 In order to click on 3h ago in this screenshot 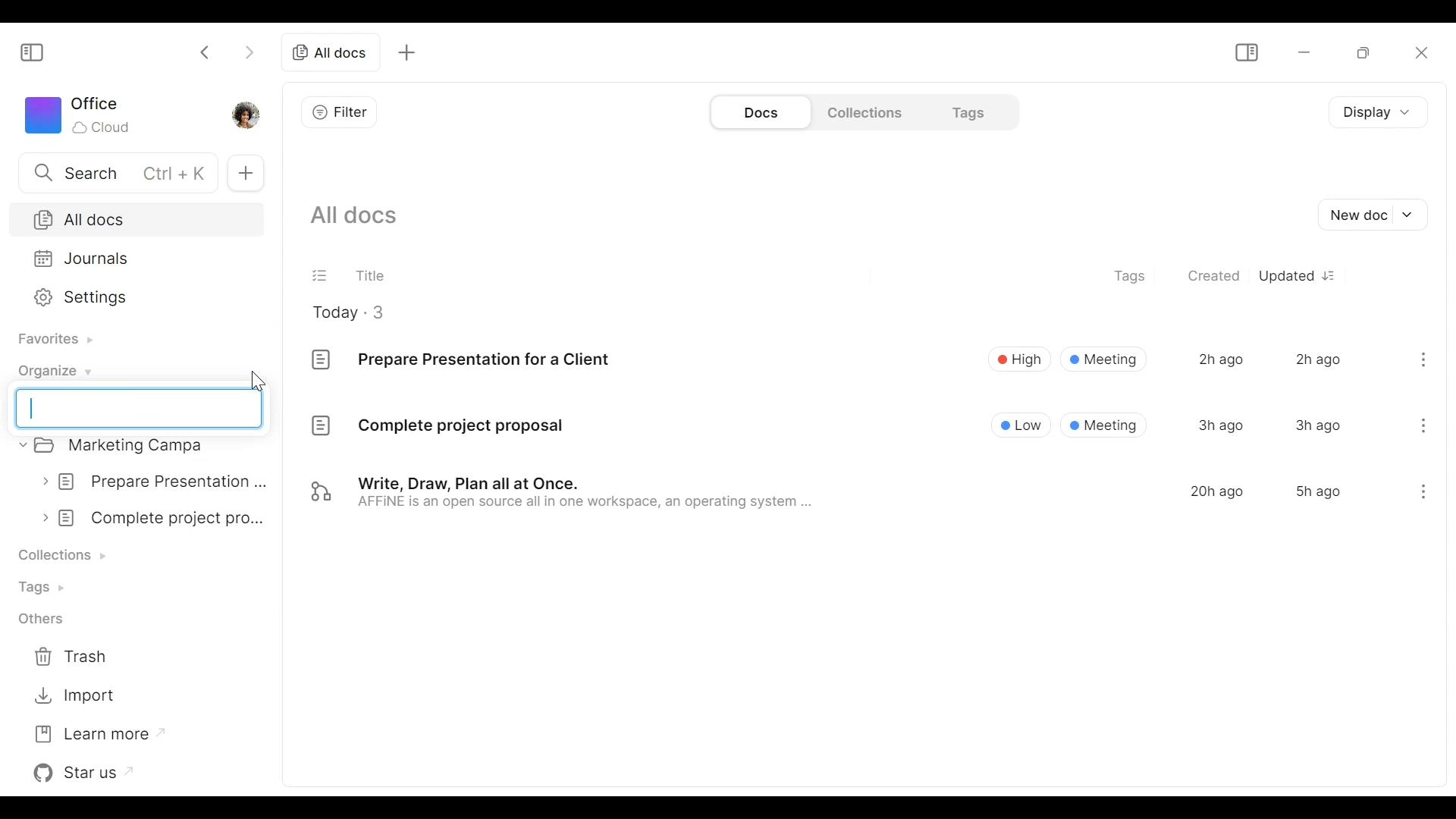, I will do `click(1317, 425)`.